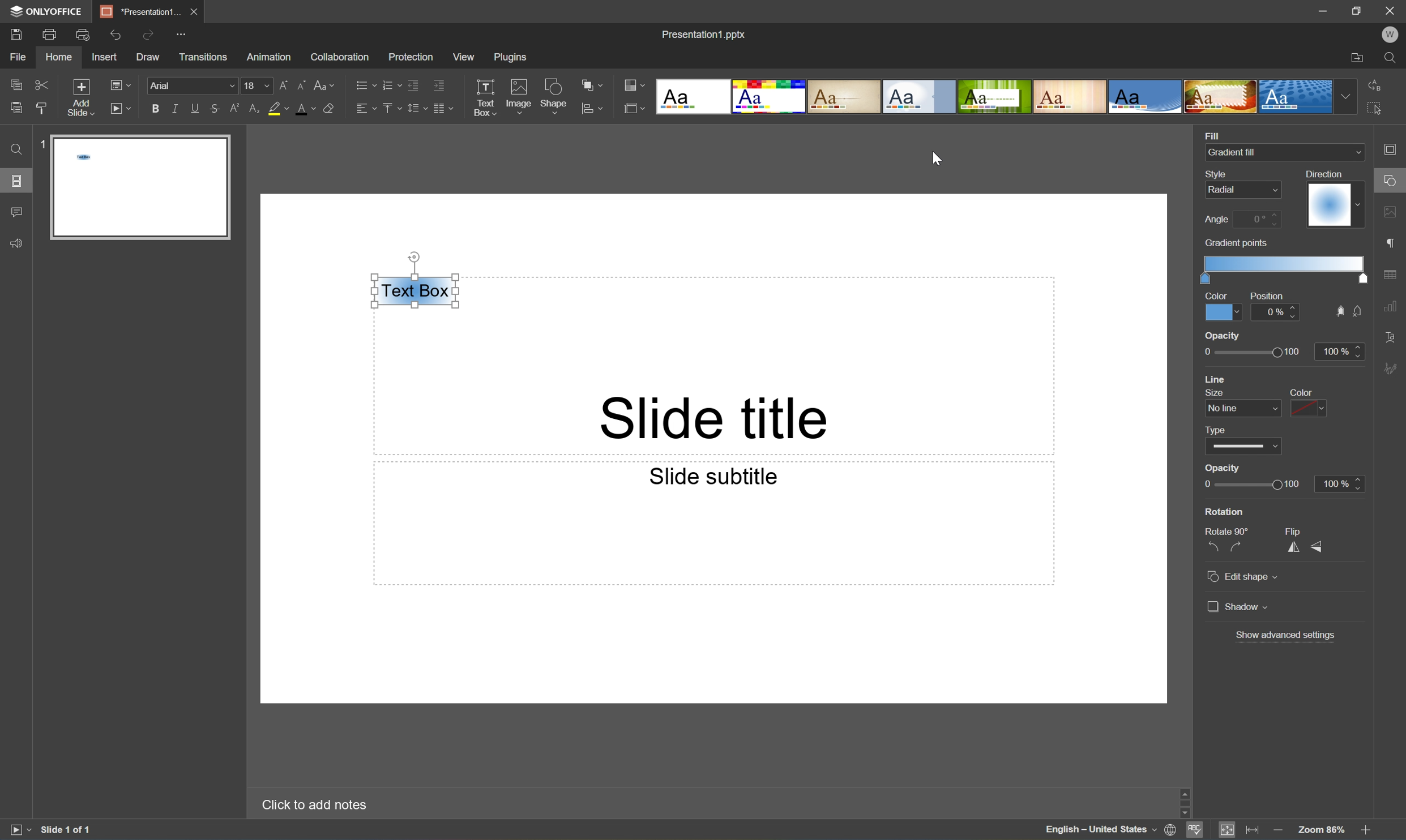  What do you see at coordinates (1395, 150) in the screenshot?
I see `Slide settings` at bounding box center [1395, 150].